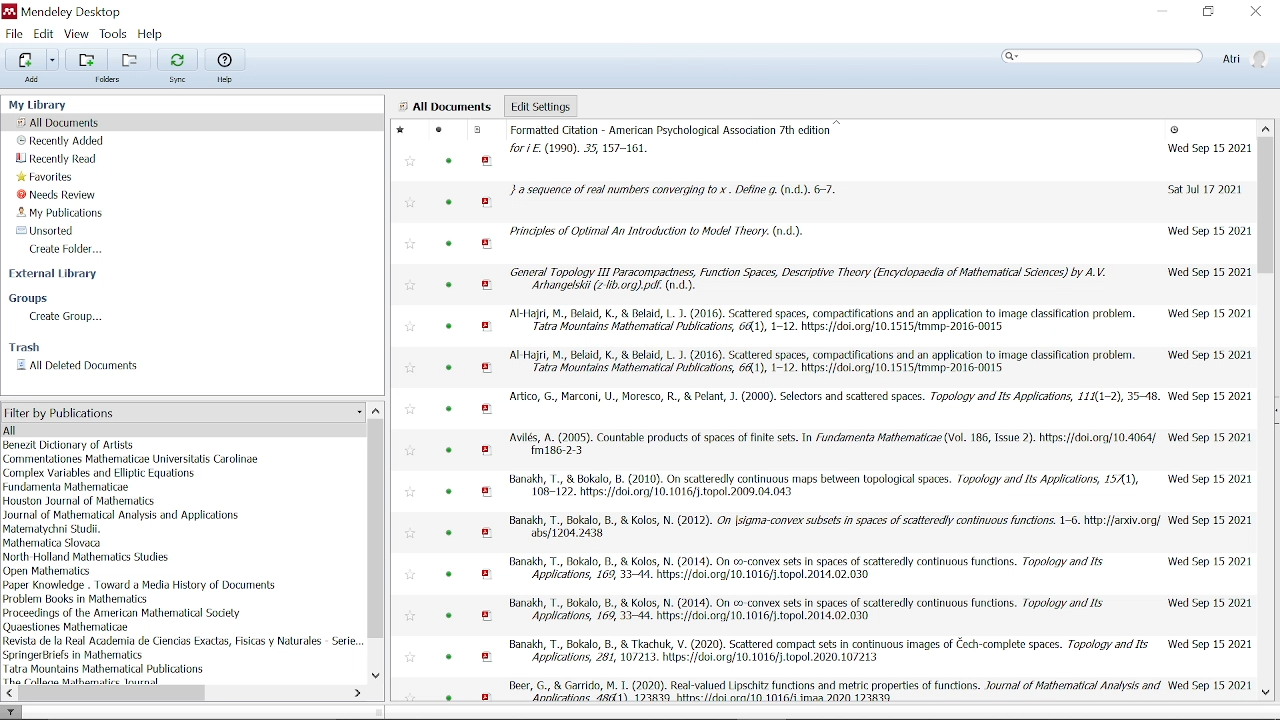  What do you see at coordinates (450, 204) in the screenshot?
I see `read status` at bounding box center [450, 204].